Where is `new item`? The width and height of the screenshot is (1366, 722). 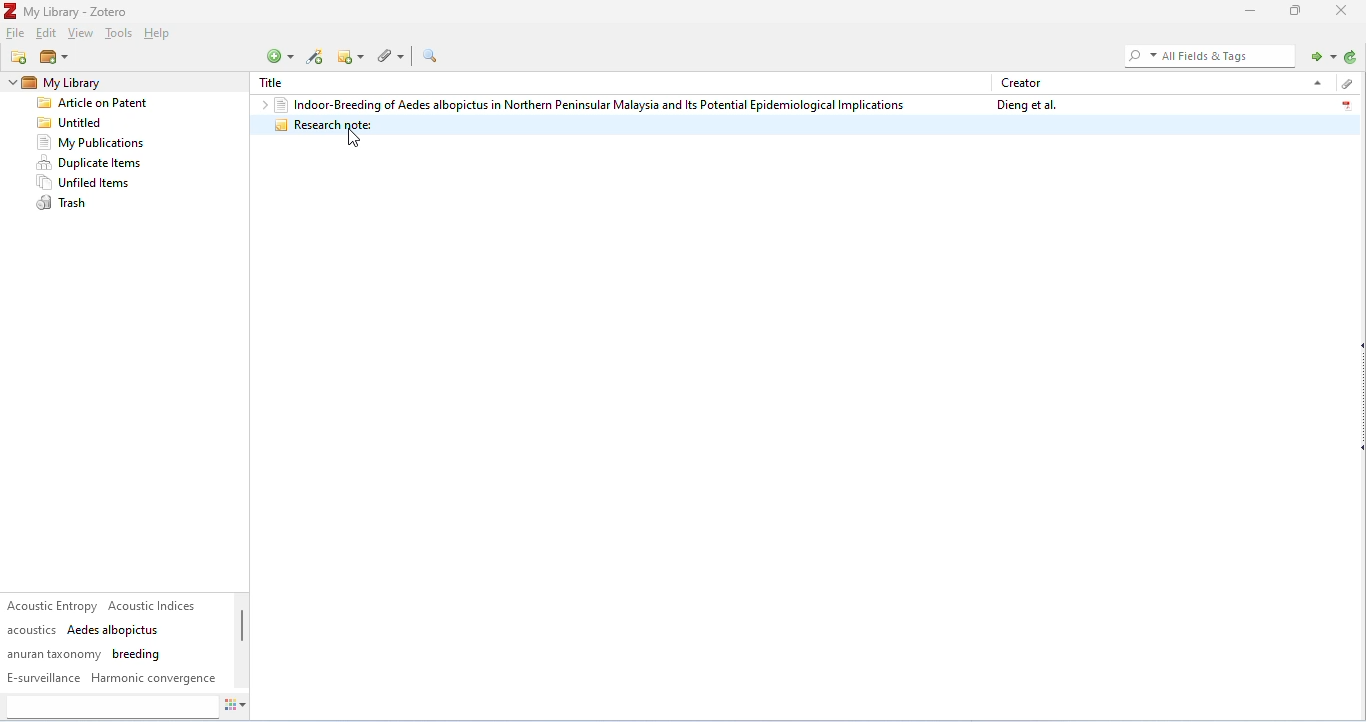
new item is located at coordinates (279, 56).